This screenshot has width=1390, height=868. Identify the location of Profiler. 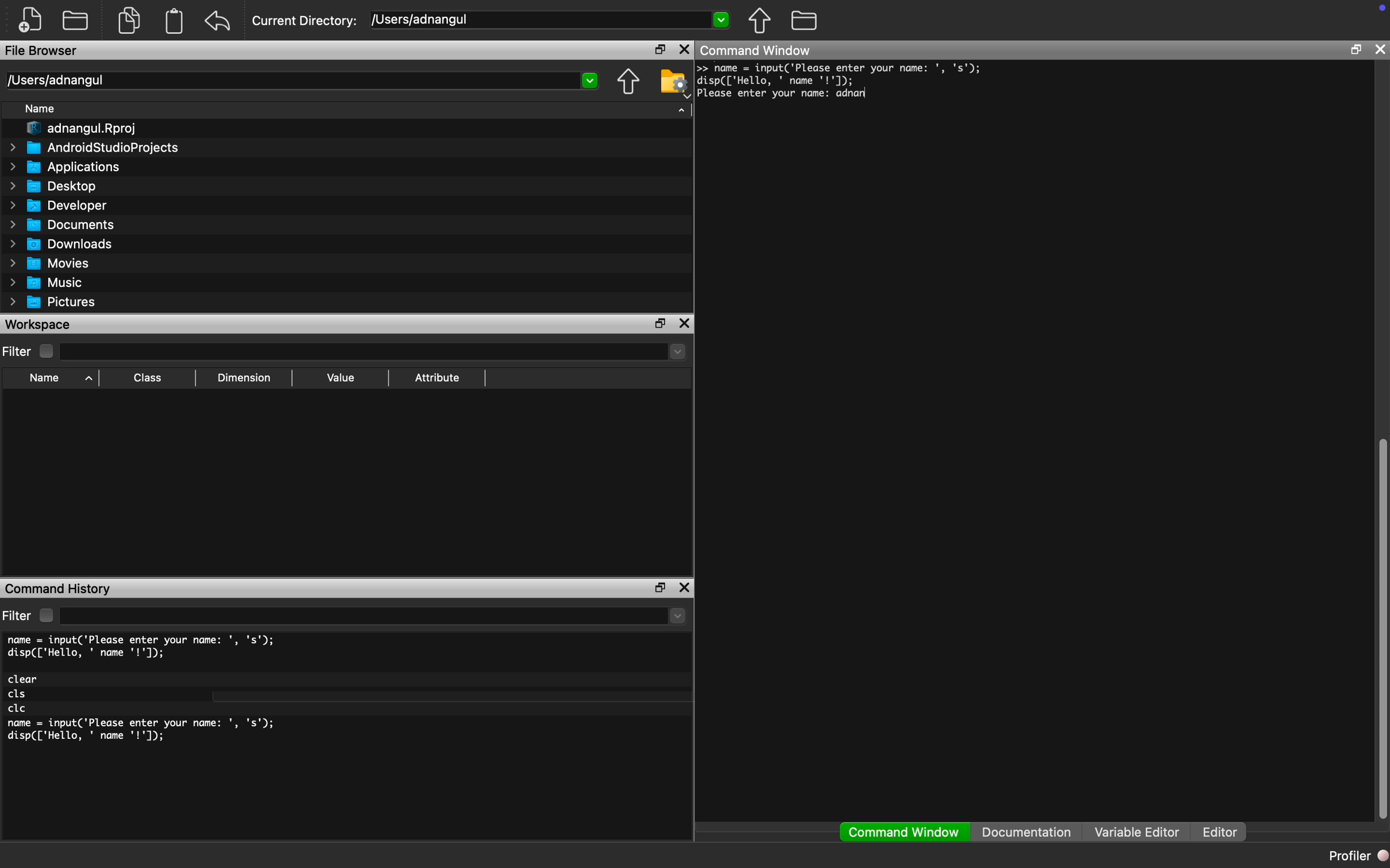
(1357, 855).